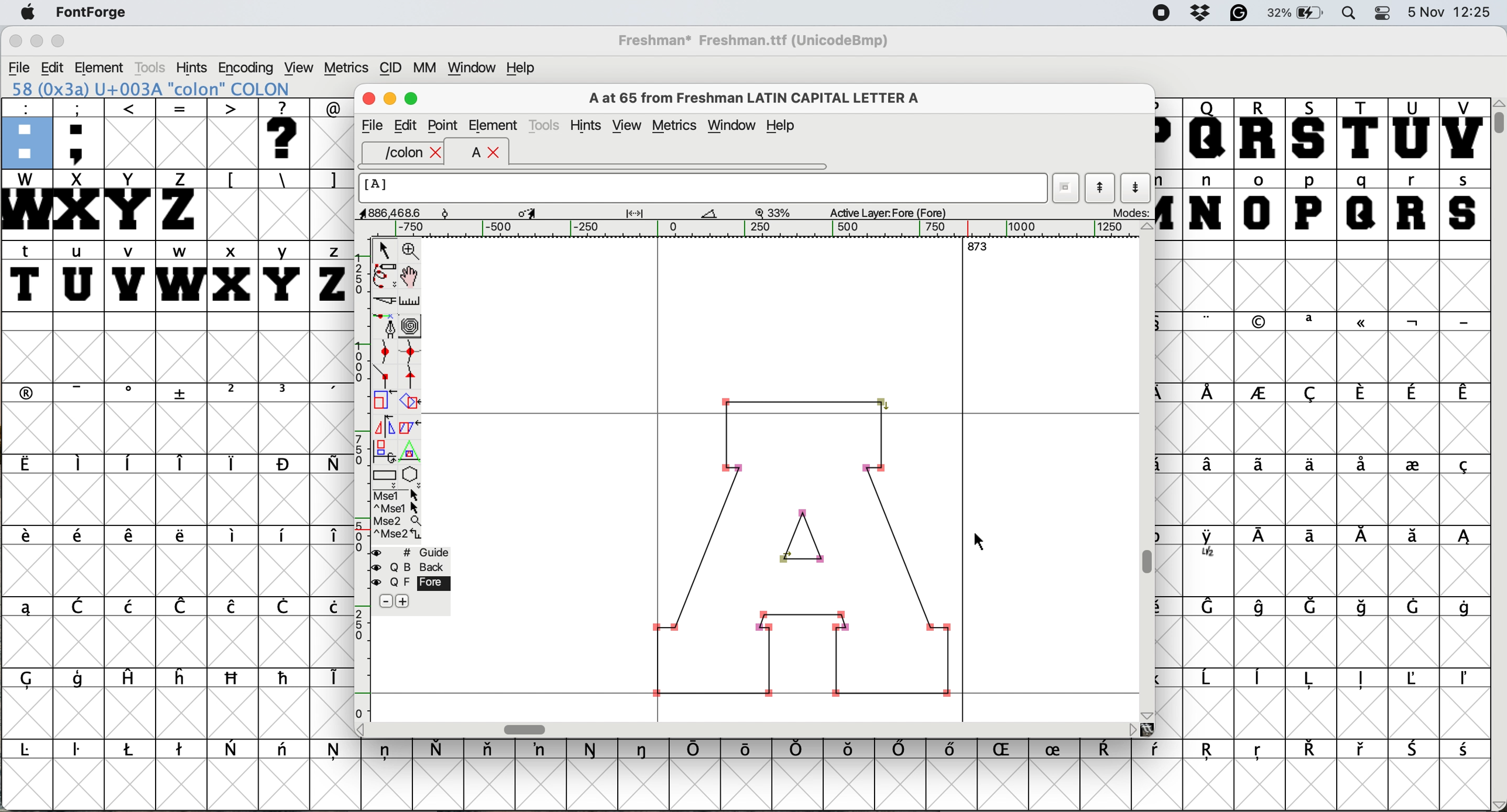 This screenshot has height=812, width=1507. I want to click on maximise, so click(412, 99).